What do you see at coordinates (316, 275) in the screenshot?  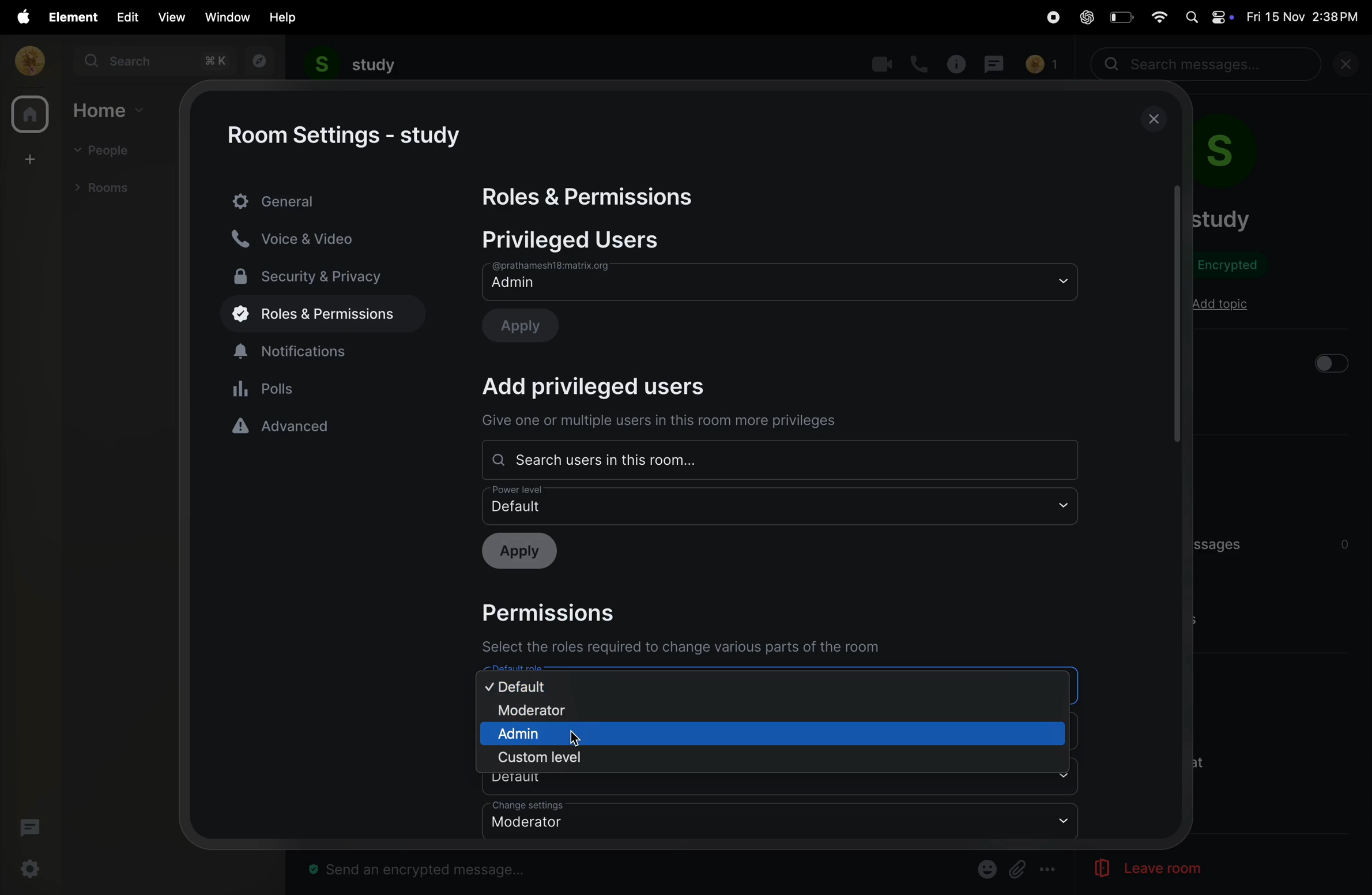 I see `security and privacy ` at bounding box center [316, 275].